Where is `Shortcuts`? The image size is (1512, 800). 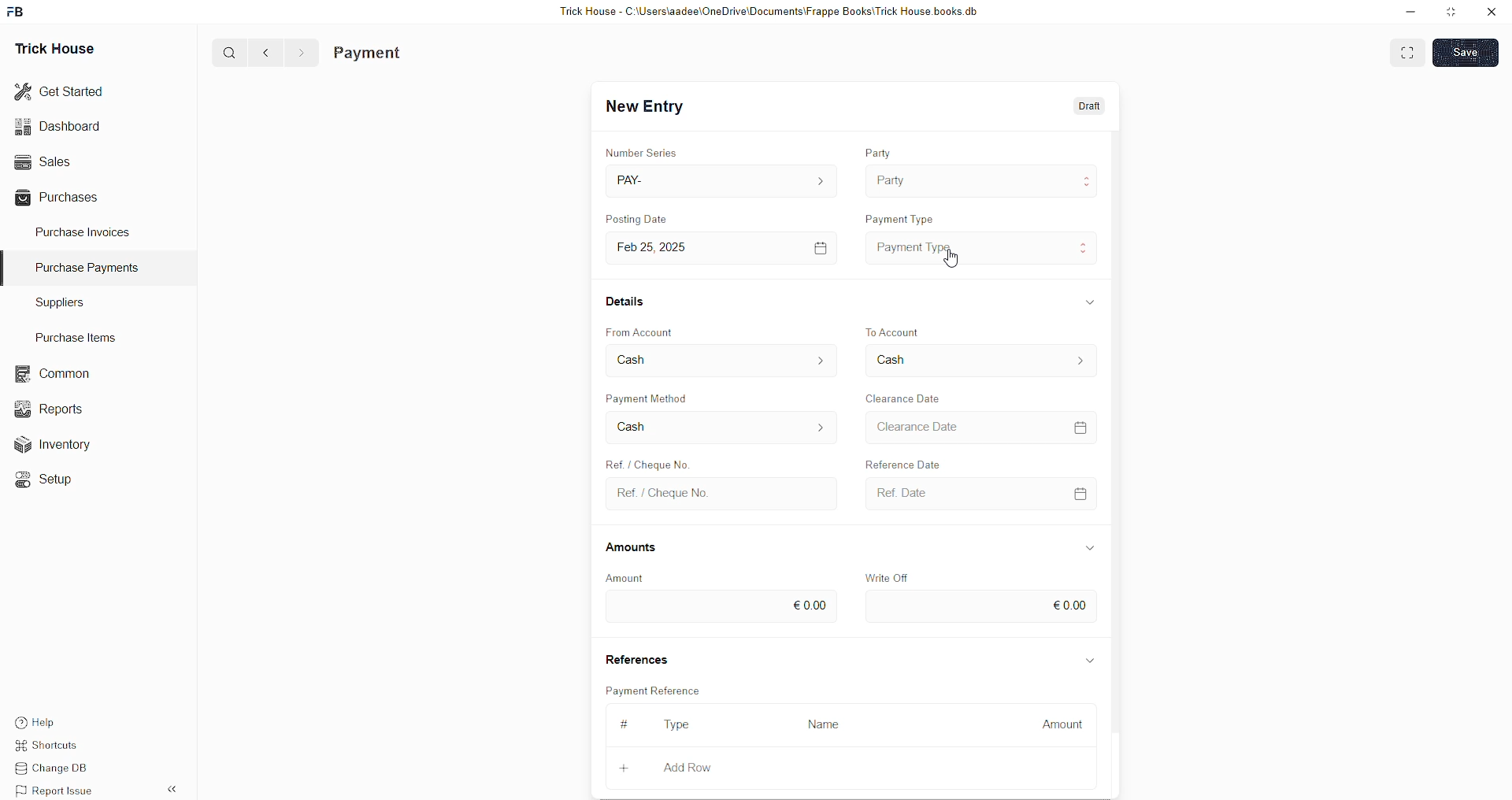
Shortcuts is located at coordinates (56, 747).